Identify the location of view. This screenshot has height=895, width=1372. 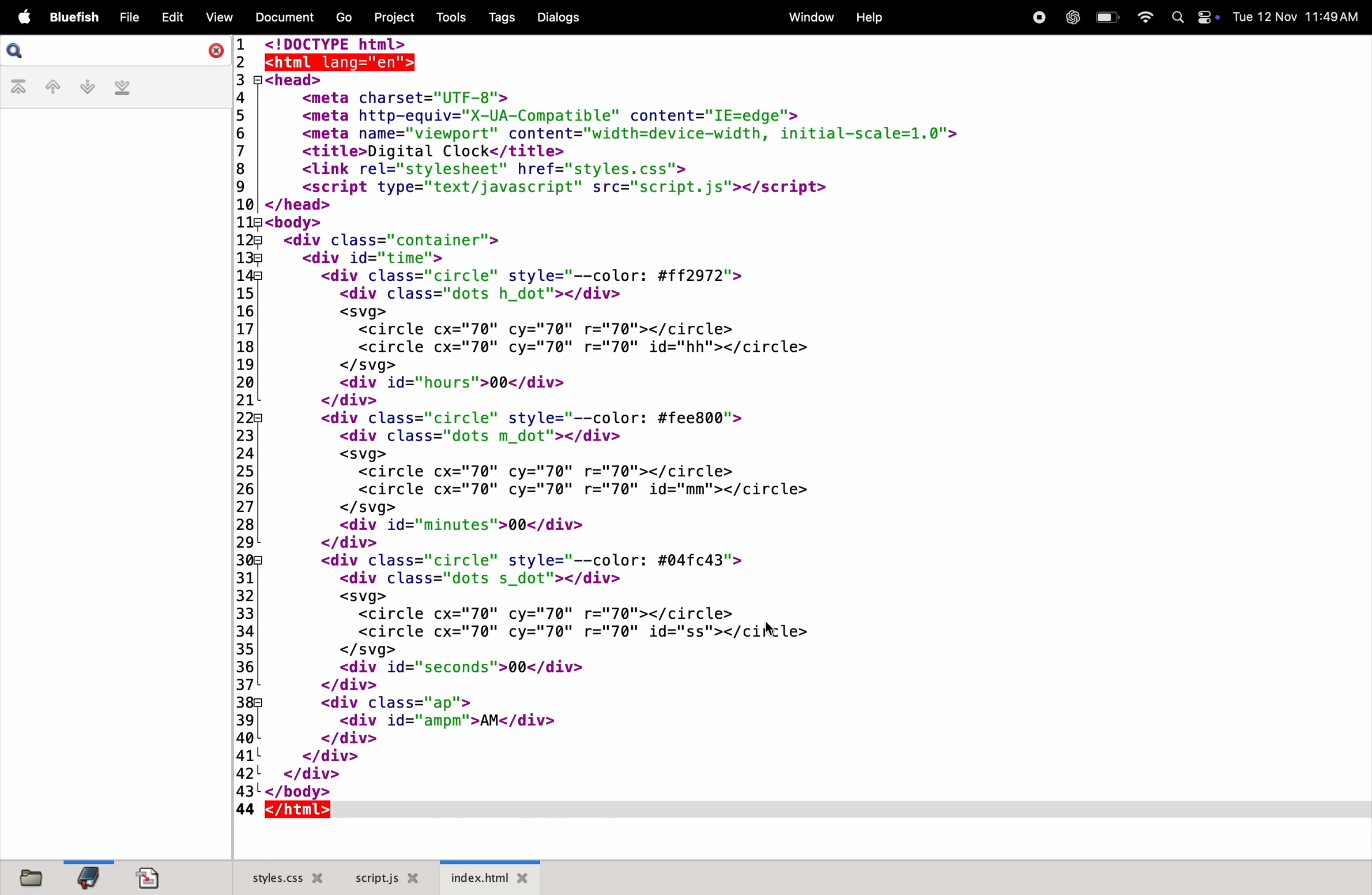
(216, 17).